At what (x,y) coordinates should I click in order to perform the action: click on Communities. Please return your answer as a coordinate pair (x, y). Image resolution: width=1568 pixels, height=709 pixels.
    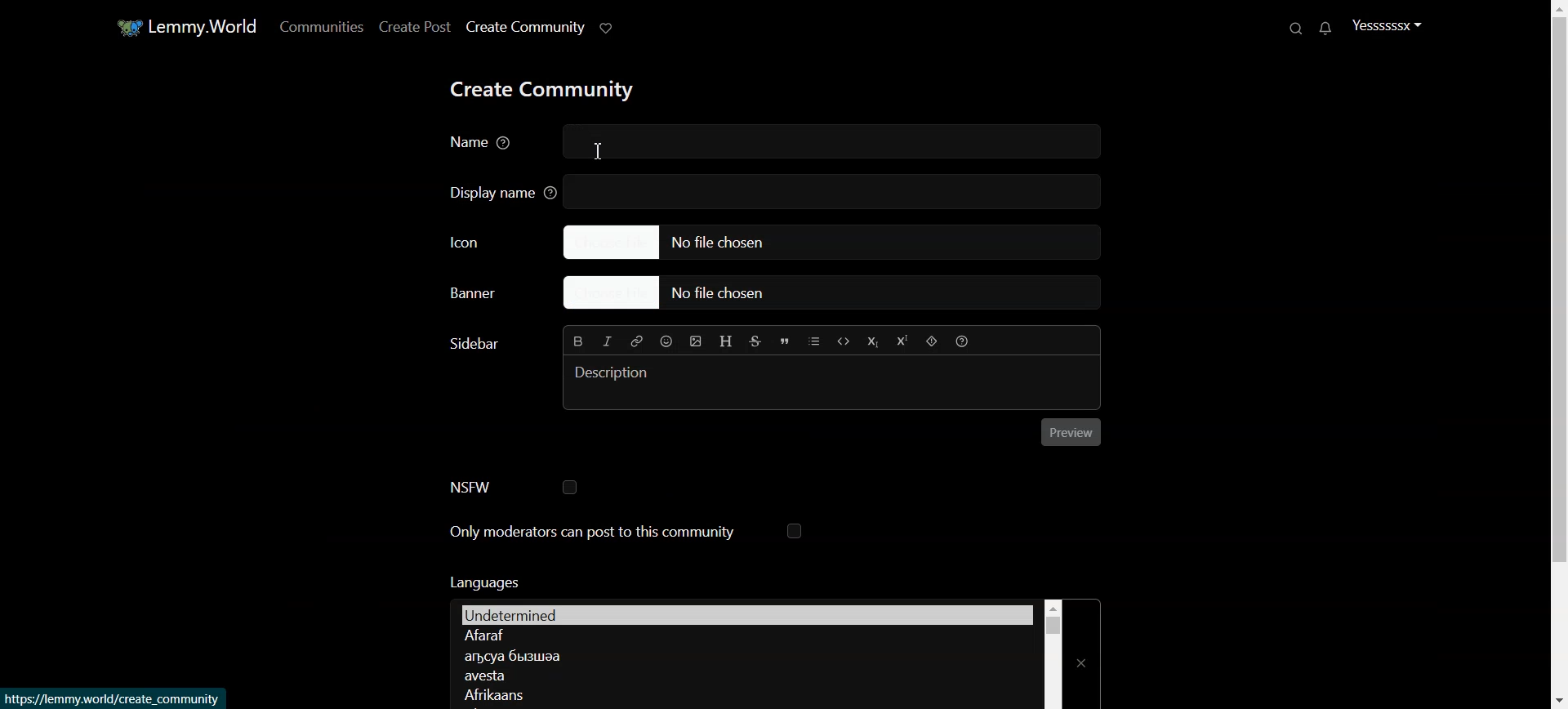
    Looking at the image, I should click on (318, 26).